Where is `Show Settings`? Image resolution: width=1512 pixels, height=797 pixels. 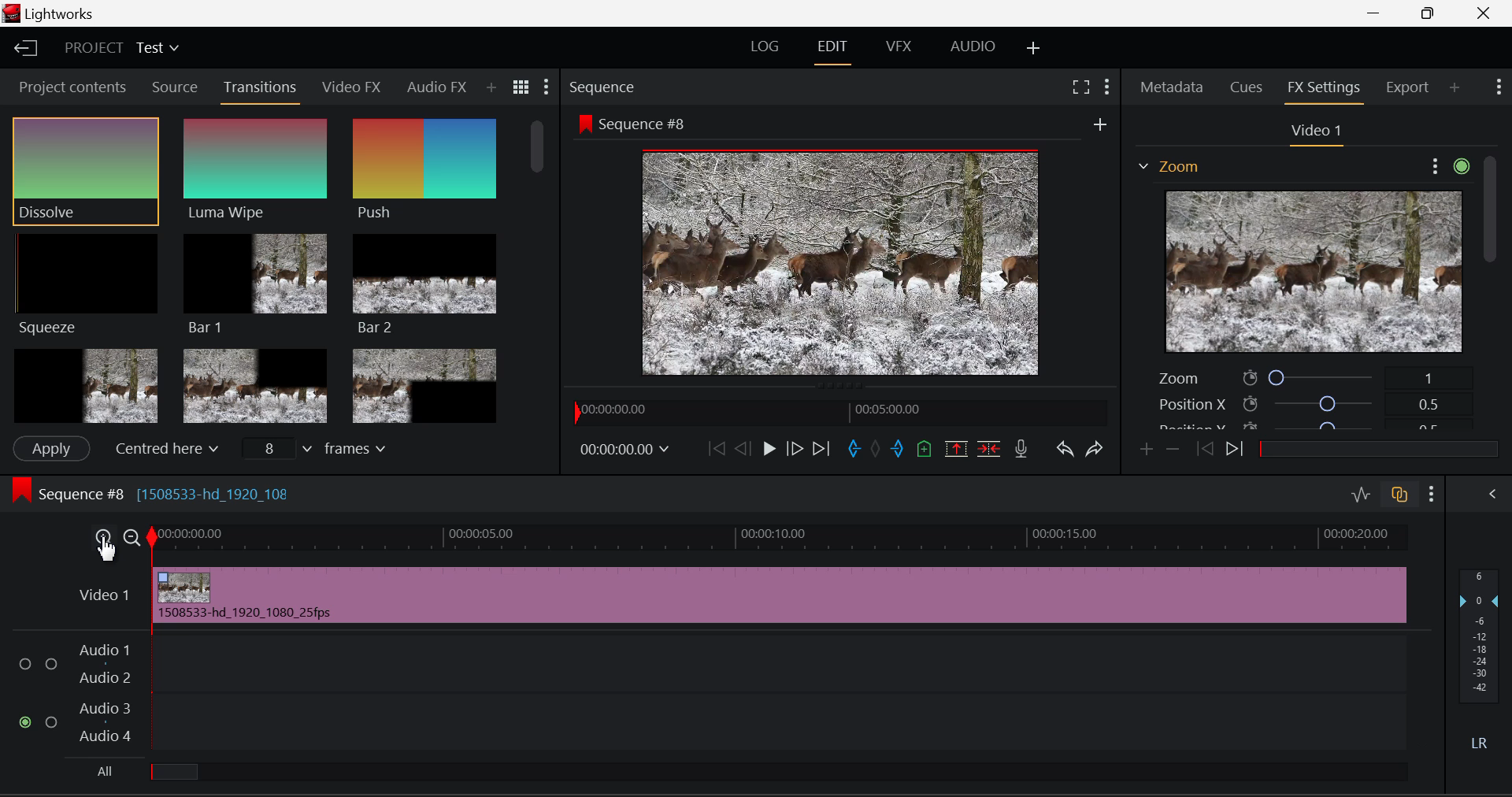 Show Settings is located at coordinates (1450, 168).